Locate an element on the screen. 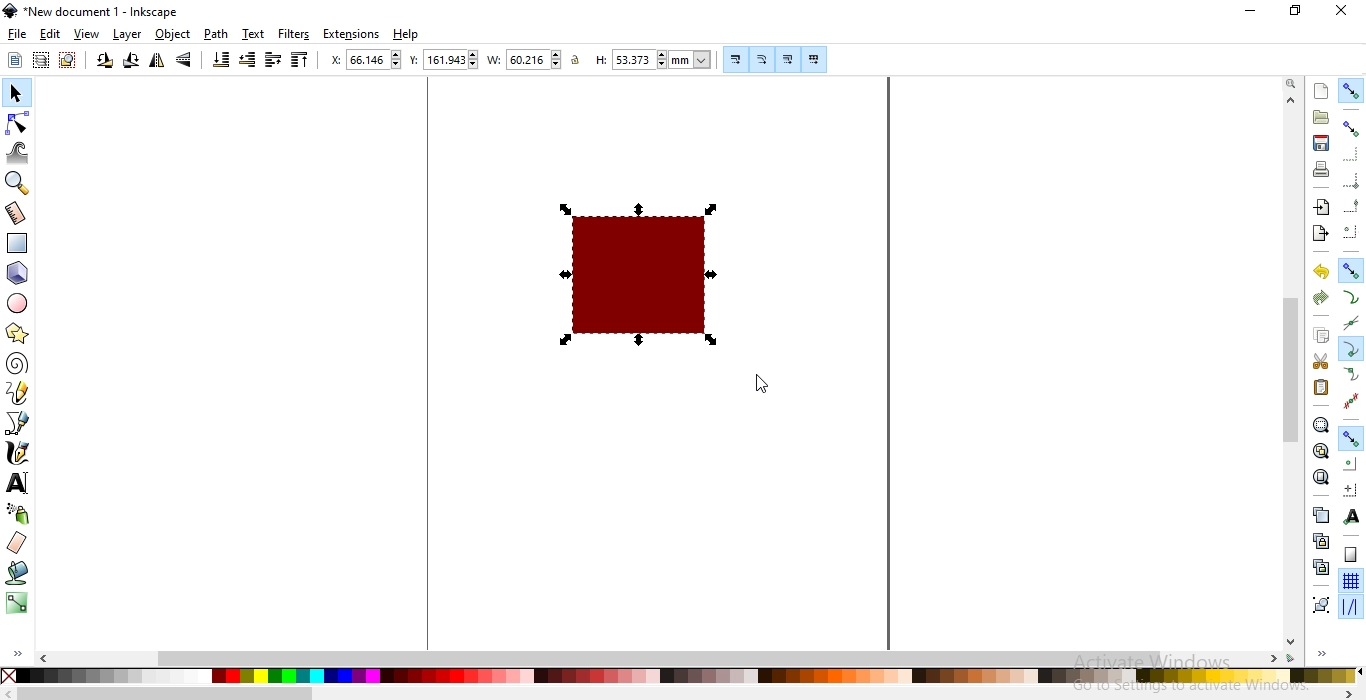 The width and height of the screenshot is (1366, 700). spray objects by sculpting or painting is located at coordinates (17, 514).